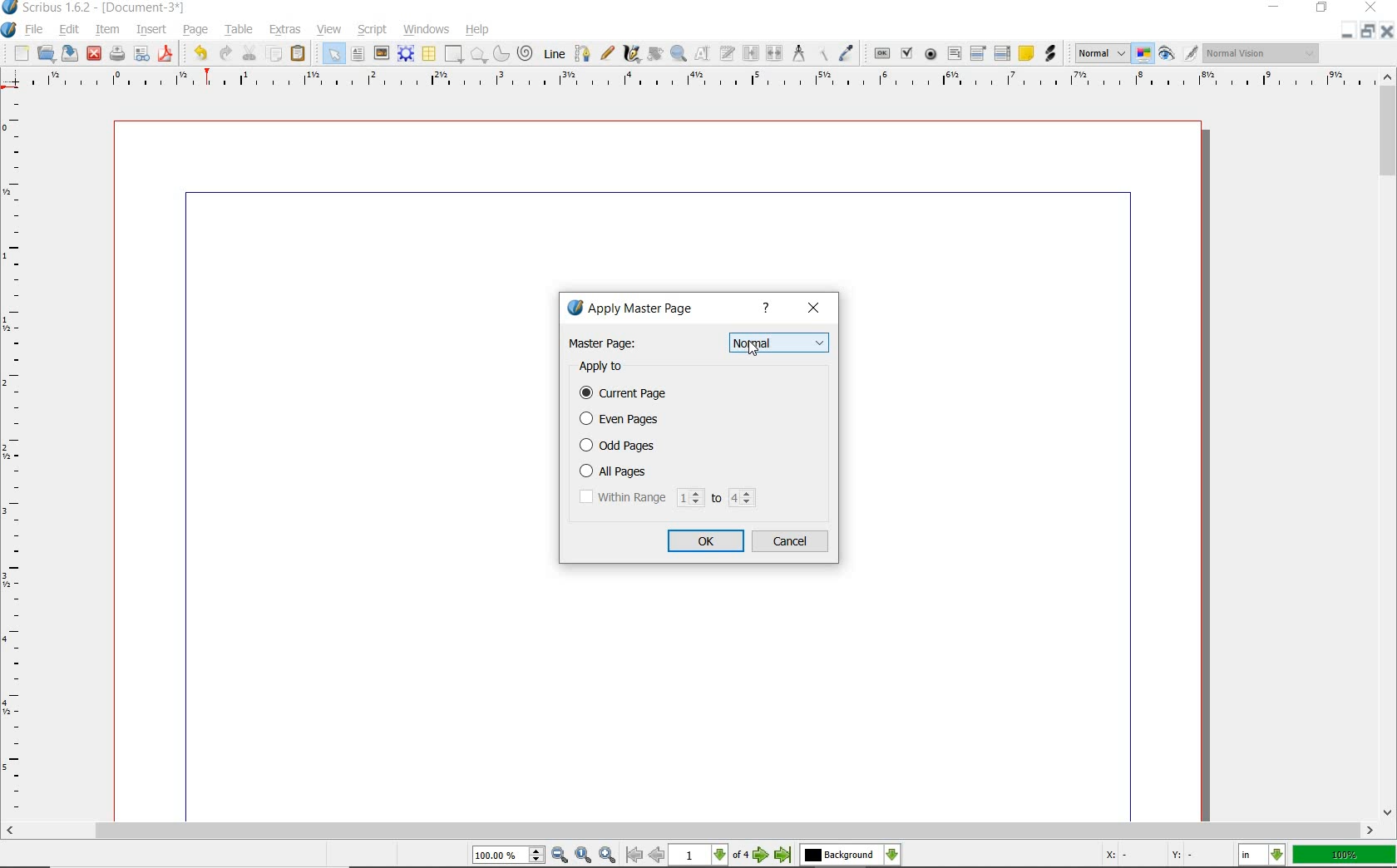  I want to click on open, so click(47, 53).